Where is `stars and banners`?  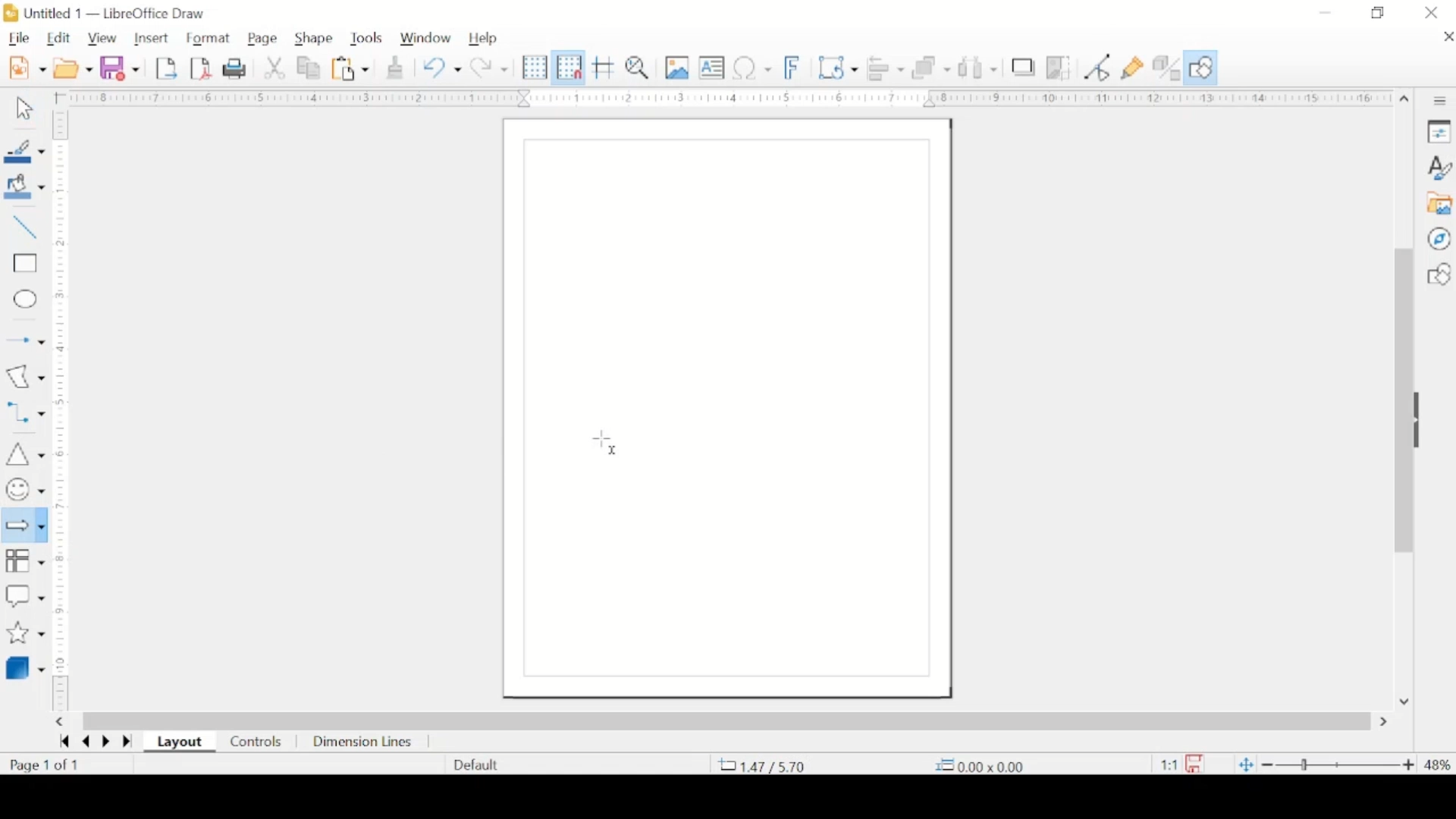
stars and banners is located at coordinates (25, 634).